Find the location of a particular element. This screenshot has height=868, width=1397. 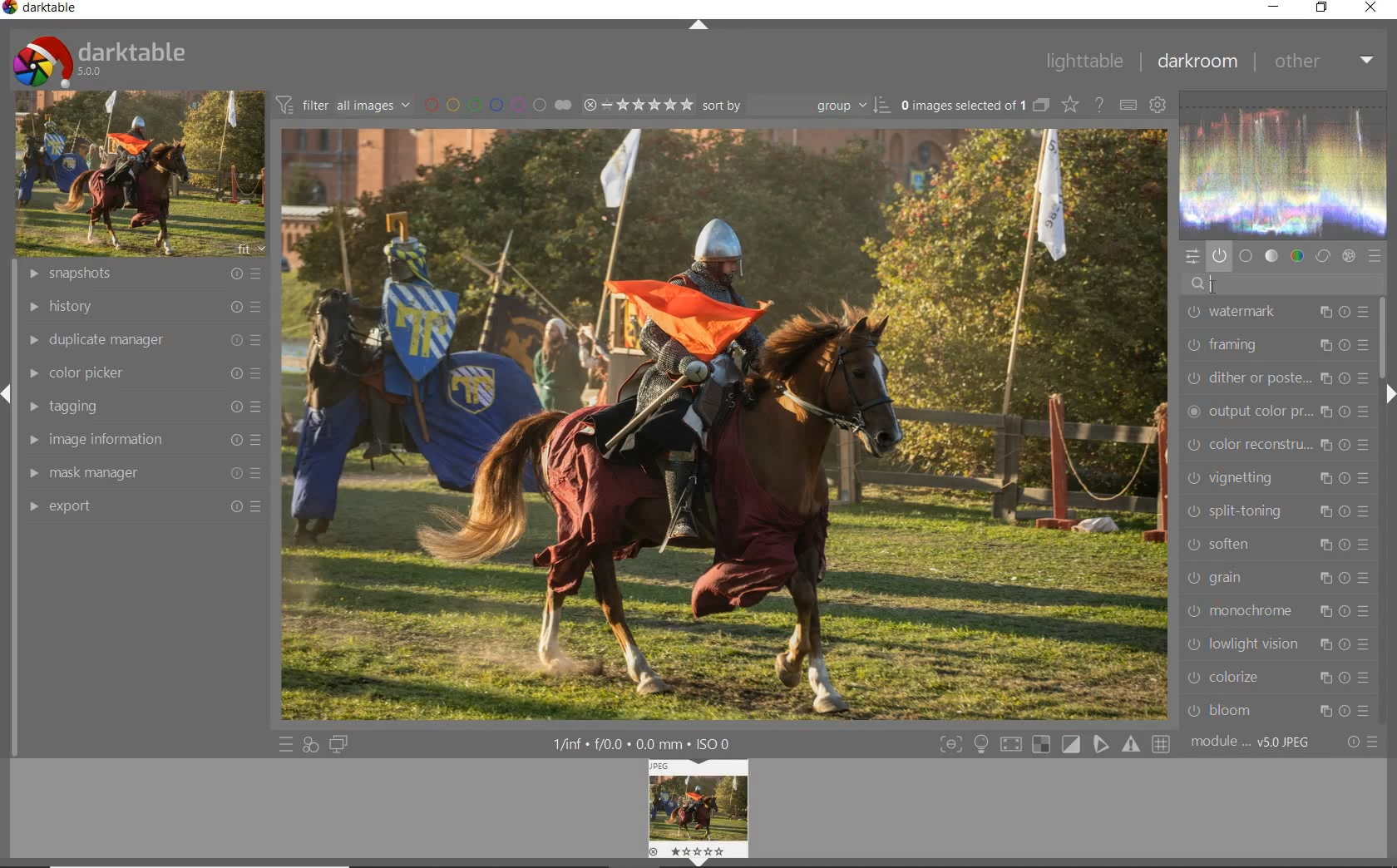

tagging is located at coordinates (141, 407).